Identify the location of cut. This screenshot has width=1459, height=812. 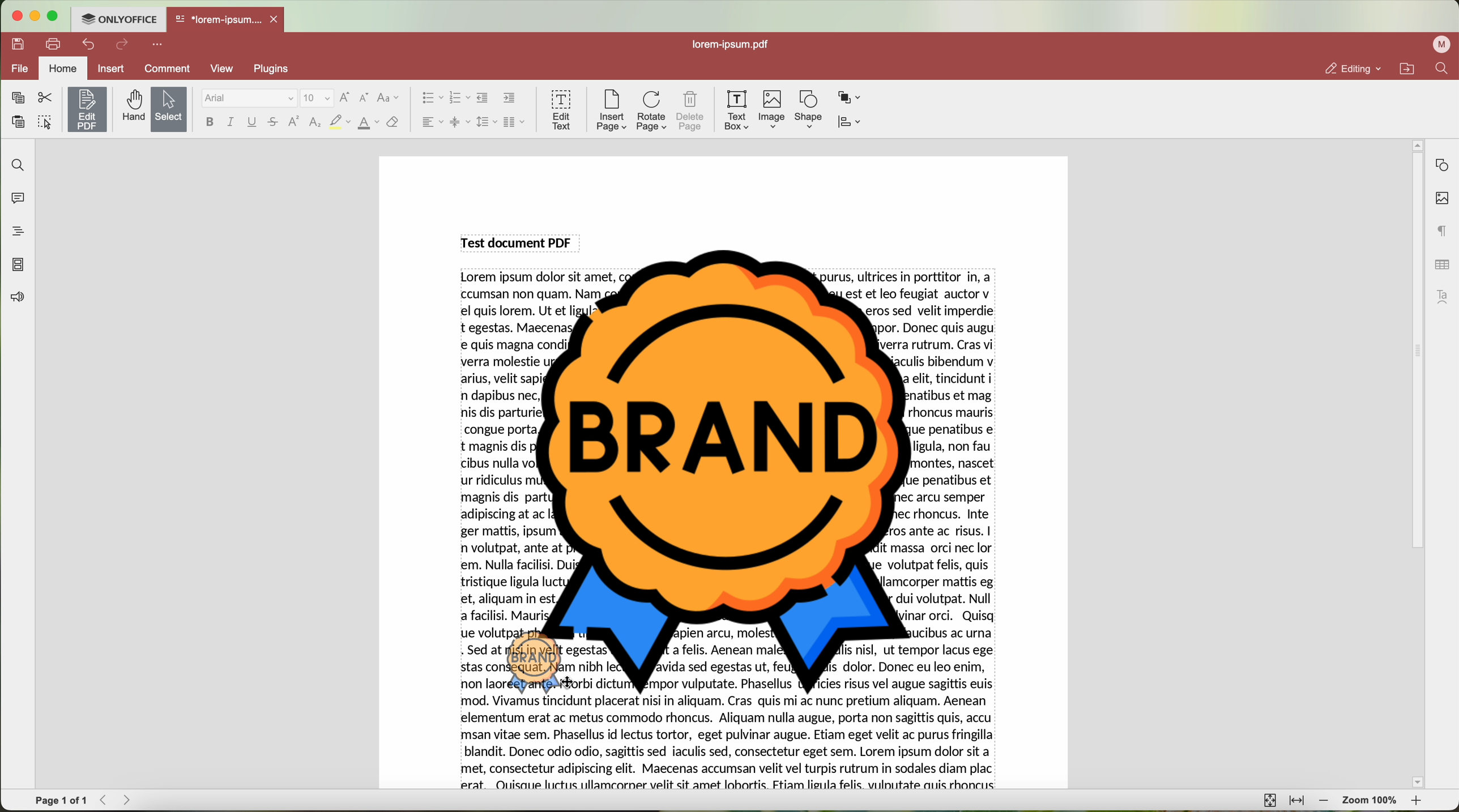
(45, 98).